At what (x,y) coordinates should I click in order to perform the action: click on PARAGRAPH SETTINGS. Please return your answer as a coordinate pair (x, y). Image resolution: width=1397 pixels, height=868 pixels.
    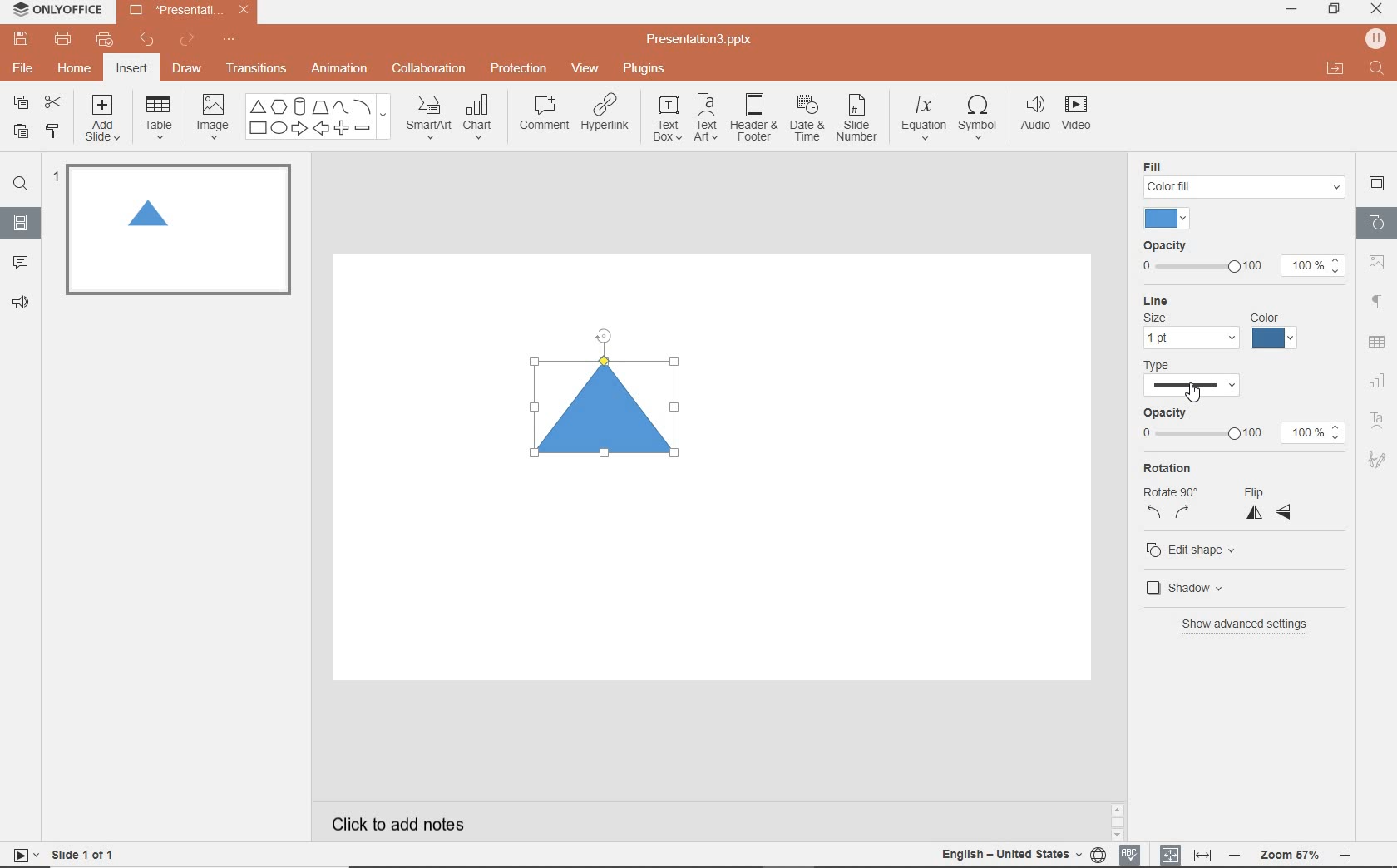
    Looking at the image, I should click on (1378, 302).